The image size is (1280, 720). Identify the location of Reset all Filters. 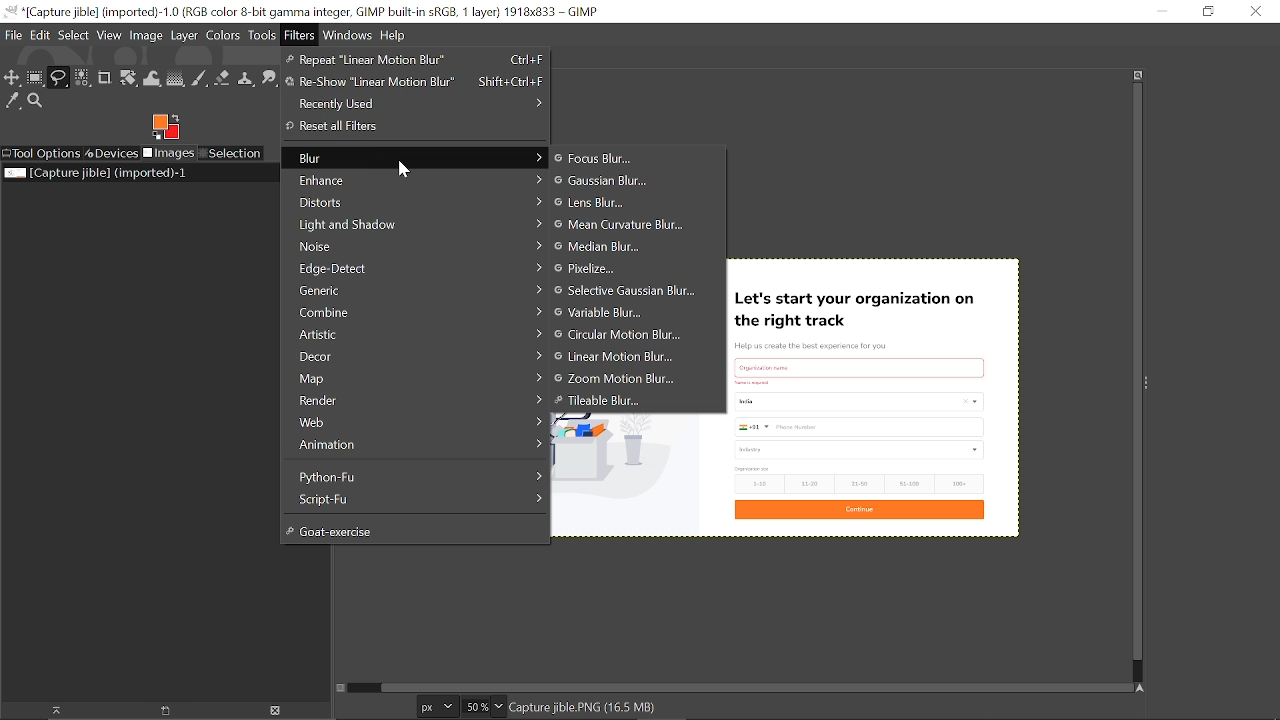
(401, 127).